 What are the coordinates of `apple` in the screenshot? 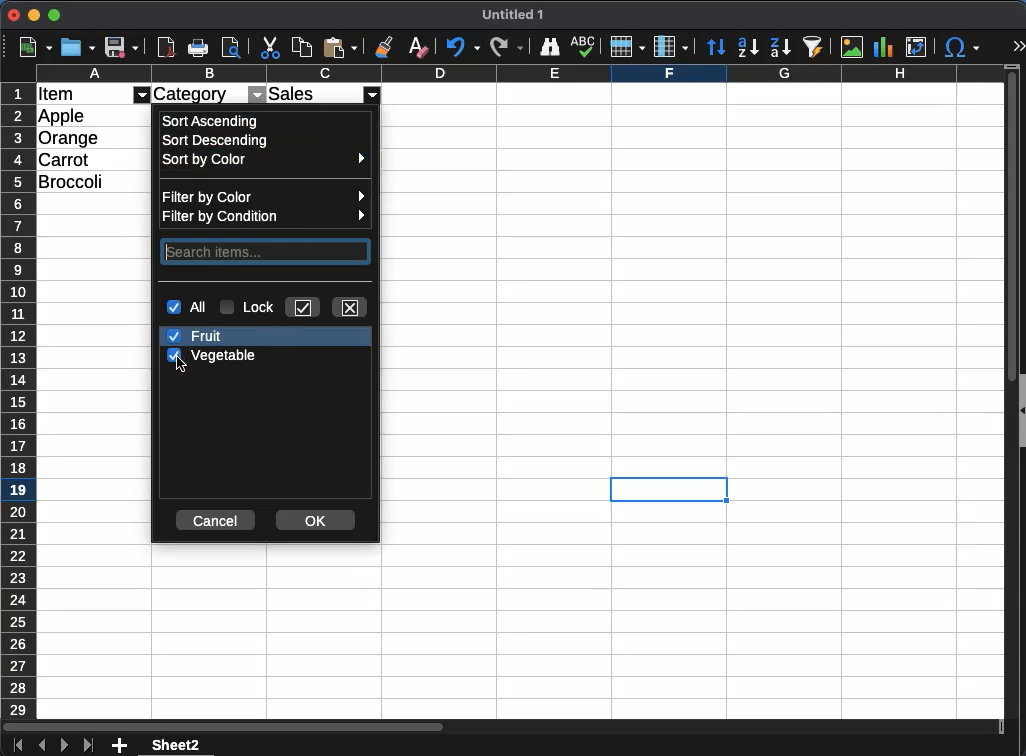 It's located at (63, 116).